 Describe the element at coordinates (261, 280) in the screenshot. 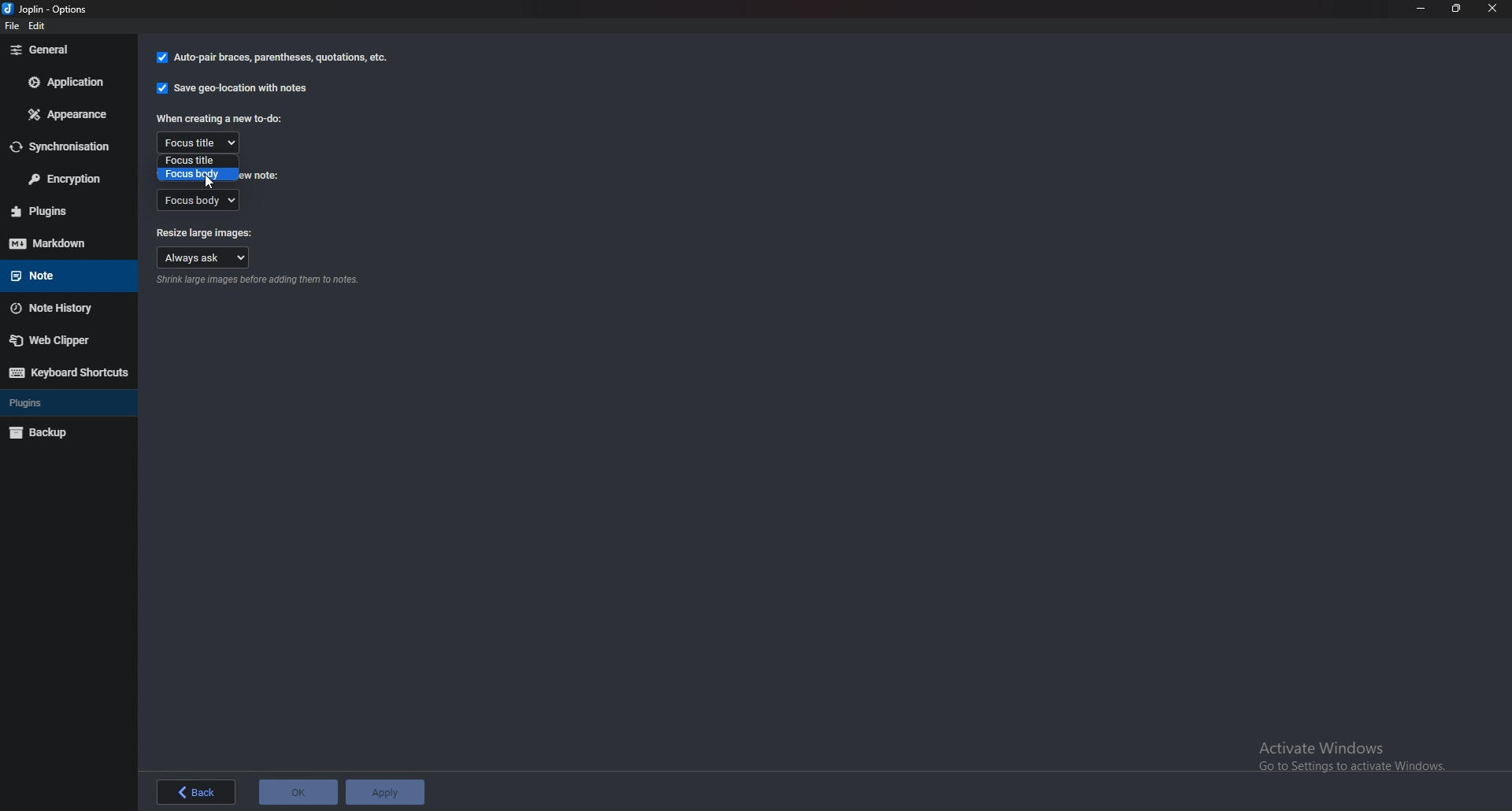

I see `Info` at that location.